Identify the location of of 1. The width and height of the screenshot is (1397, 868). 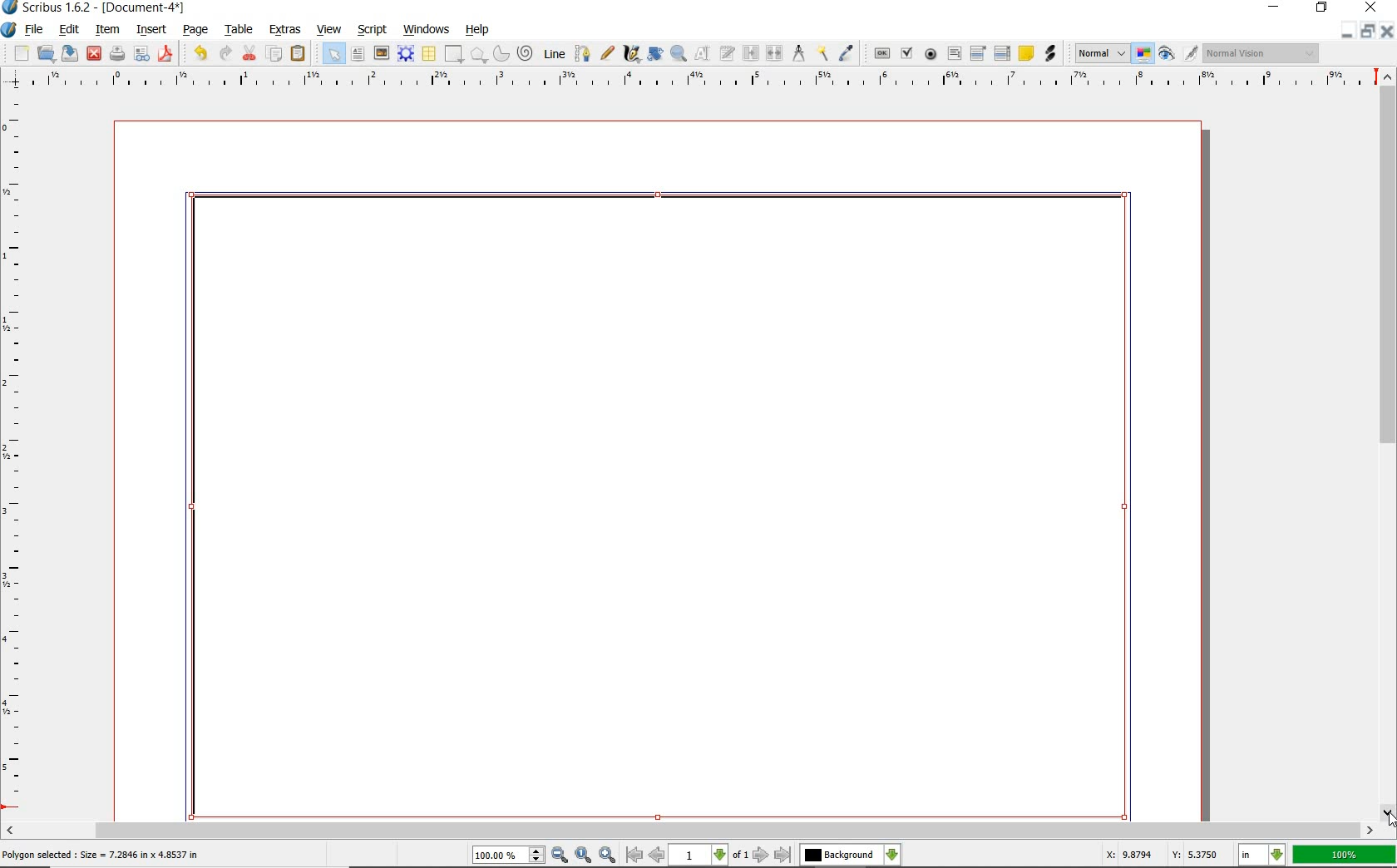
(742, 856).